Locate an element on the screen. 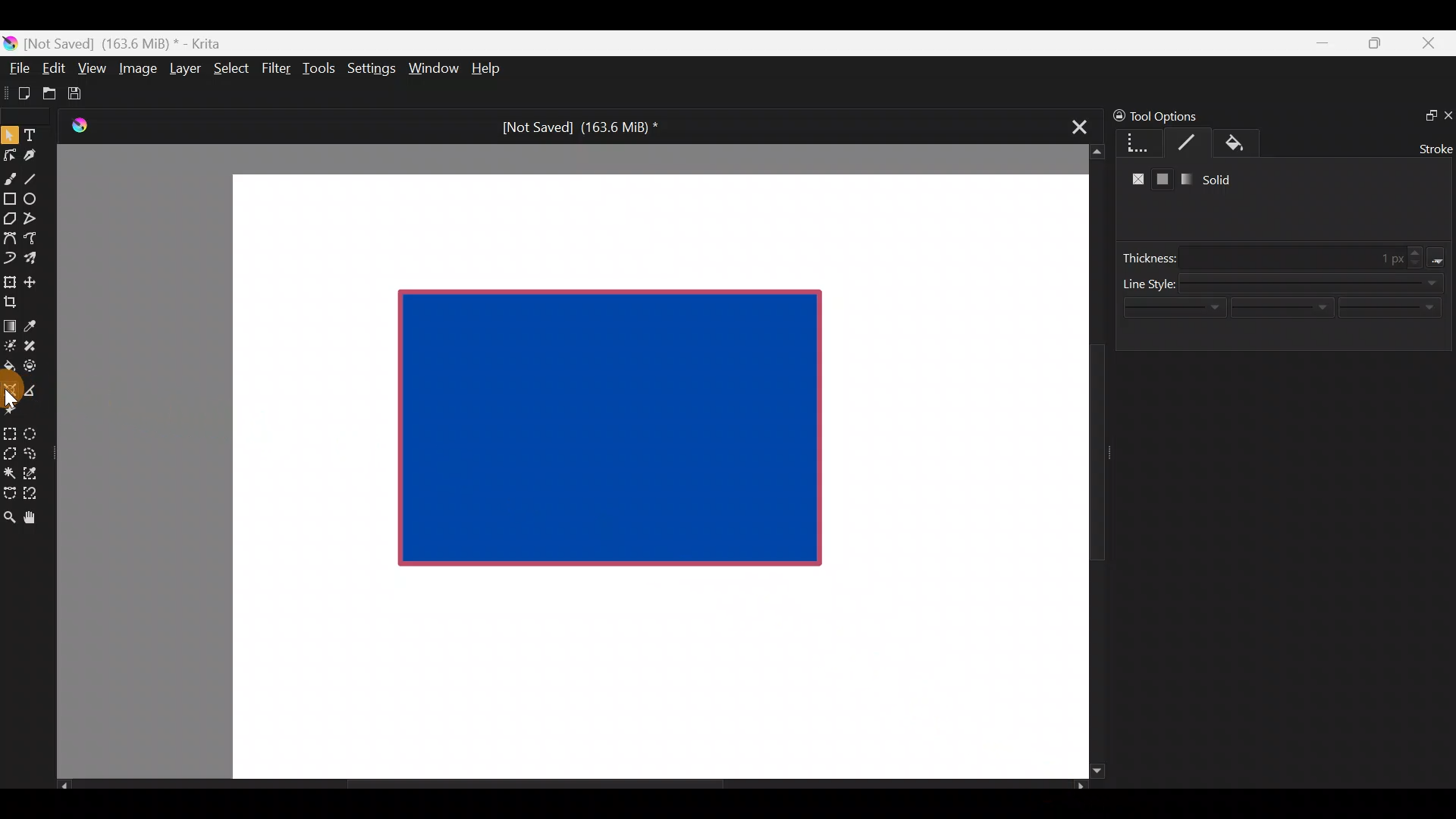 The height and width of the screenshot is (819, 1456). Scroll bar is located at coordinates (1086, 462).